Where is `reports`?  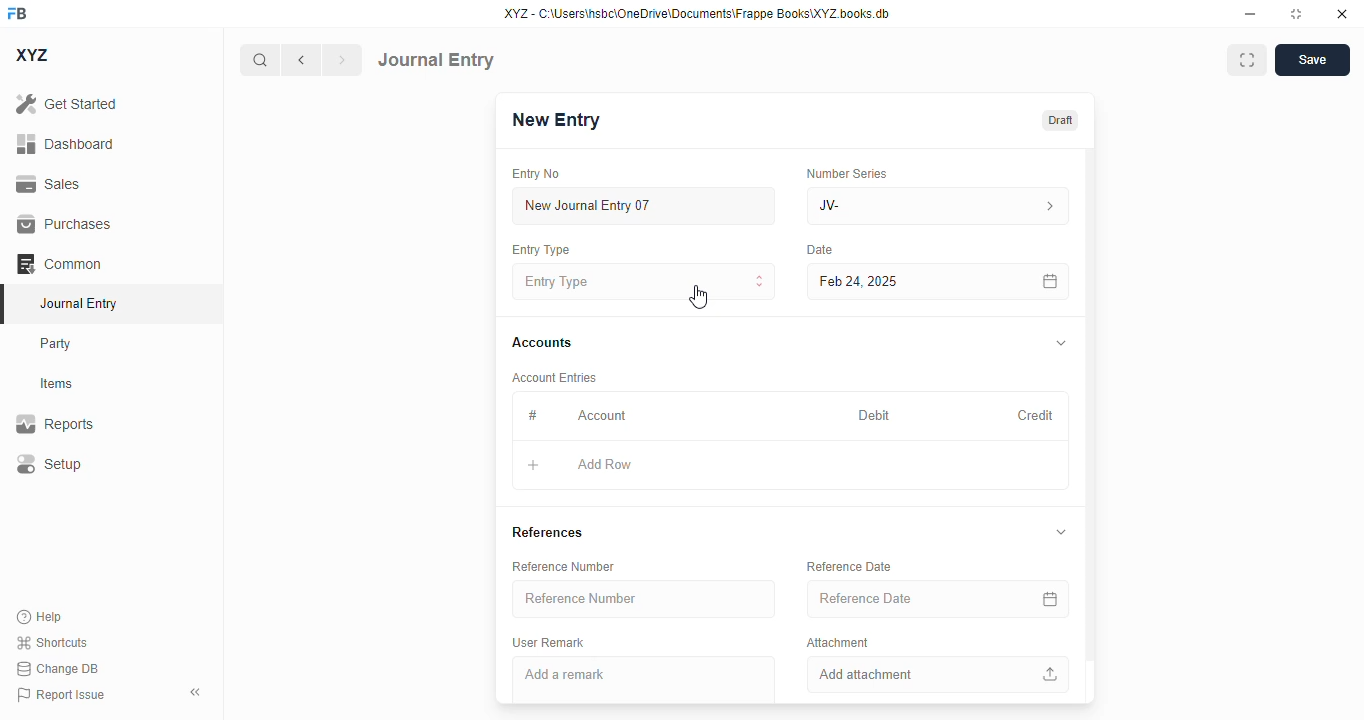 reports is located at coordinates (55, 423).